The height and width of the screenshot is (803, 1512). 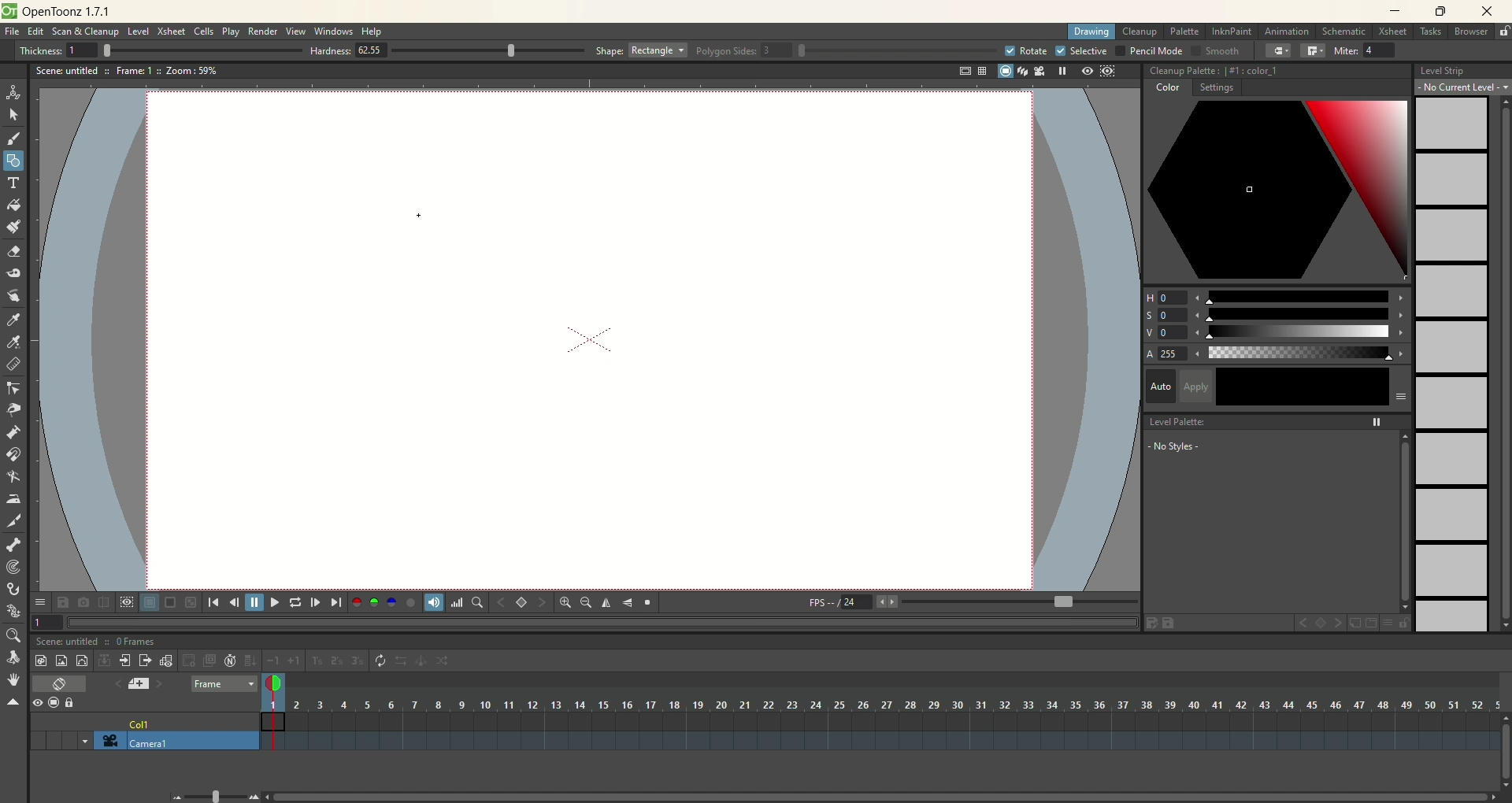 What do you see at coordinates (1109, 72) in the screenshot?
I see `sub-camera preview` at bounding box center [1109, 72].